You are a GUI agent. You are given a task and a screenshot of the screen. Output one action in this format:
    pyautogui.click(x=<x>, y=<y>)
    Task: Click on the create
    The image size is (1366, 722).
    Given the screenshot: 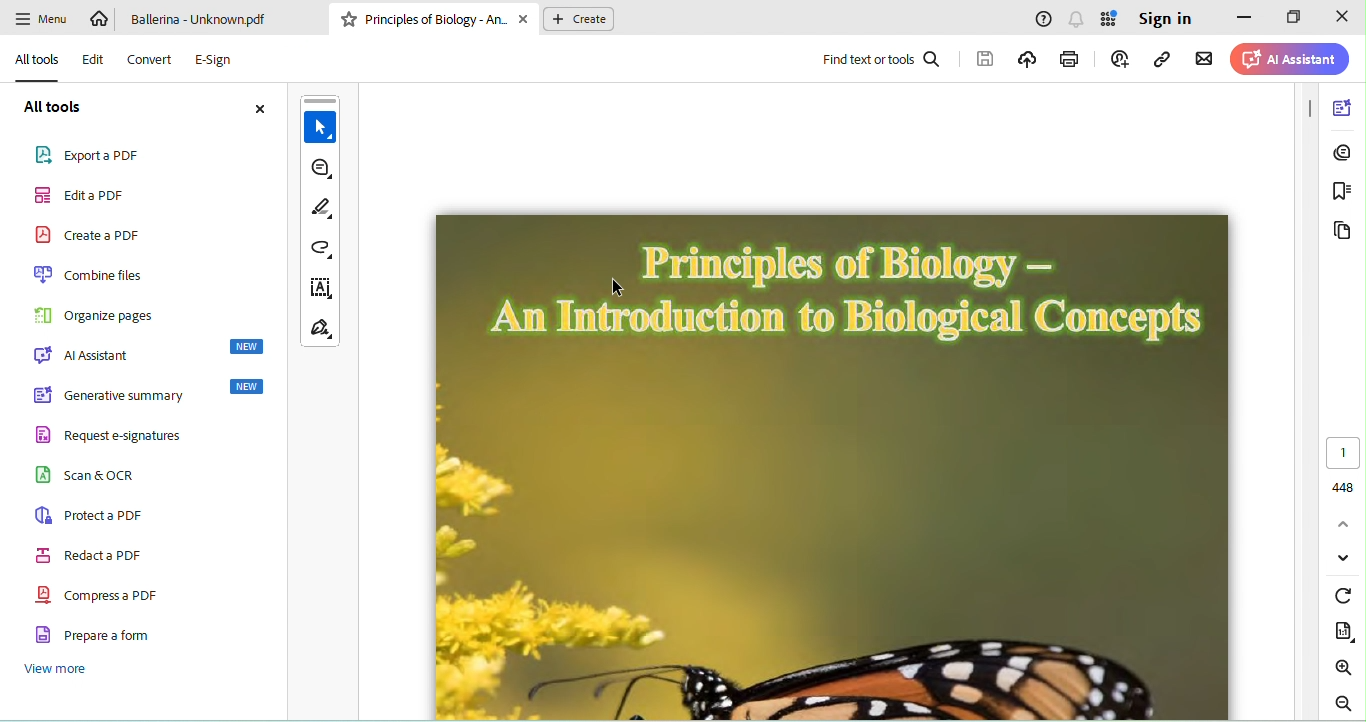 What is the action you would take?
    pyautogui.click(x=579, y=18)
    